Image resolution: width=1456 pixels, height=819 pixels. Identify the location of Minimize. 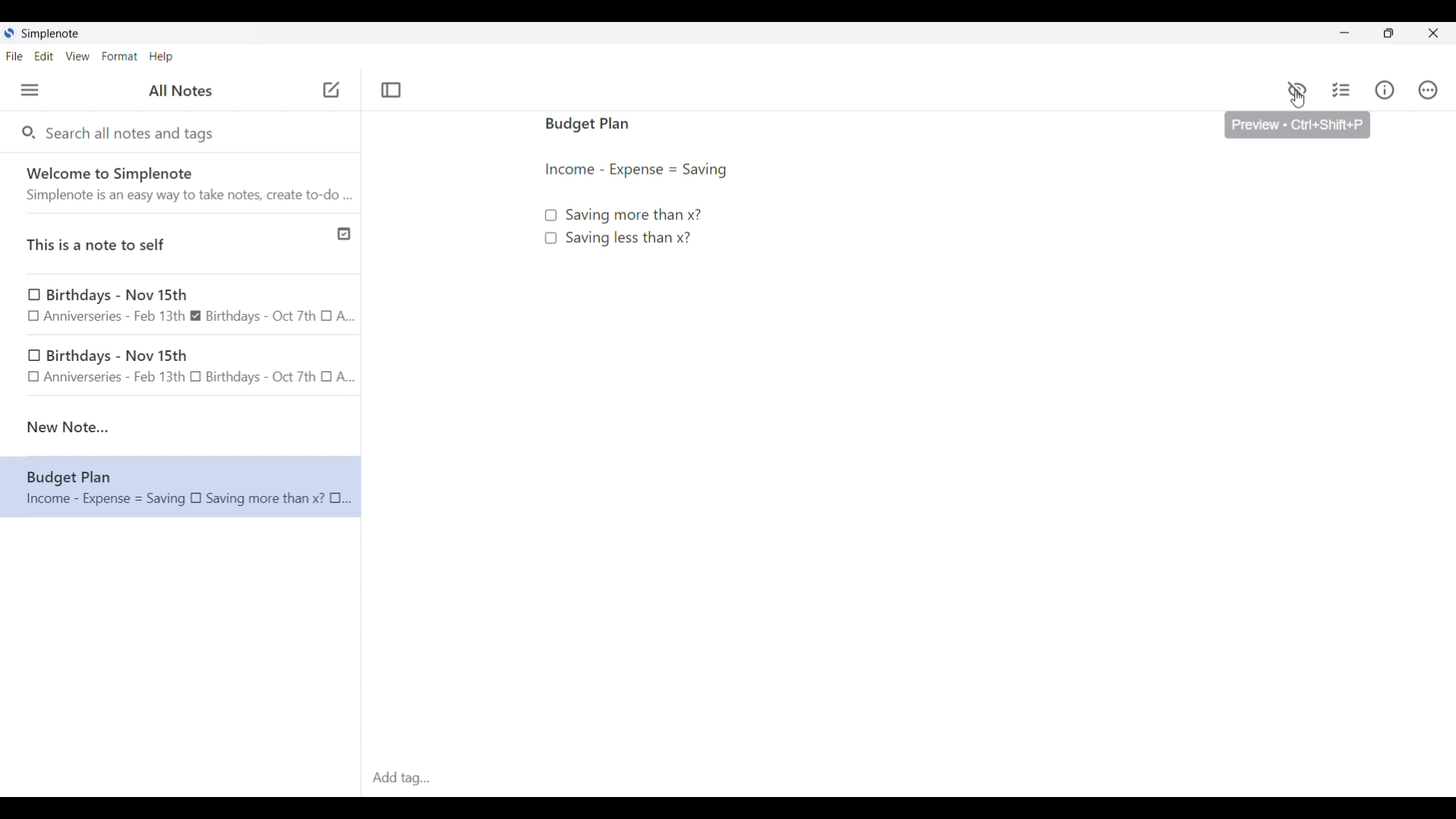
(1345, 33).